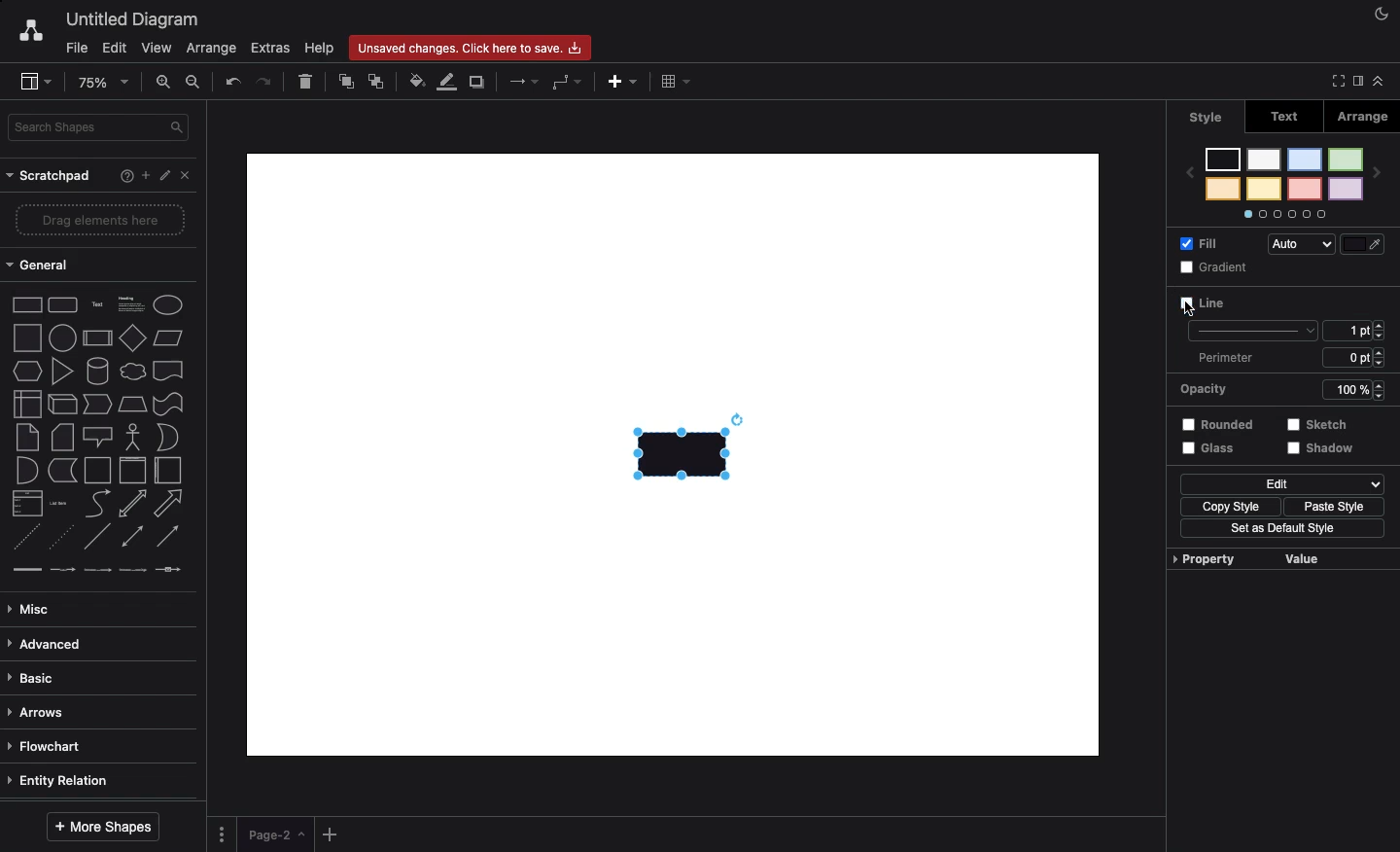 The height and width of the screenshot is (852, 1400). Describe the element at coordinates (625, 83) in the screenshot. I see `Add` at that location.